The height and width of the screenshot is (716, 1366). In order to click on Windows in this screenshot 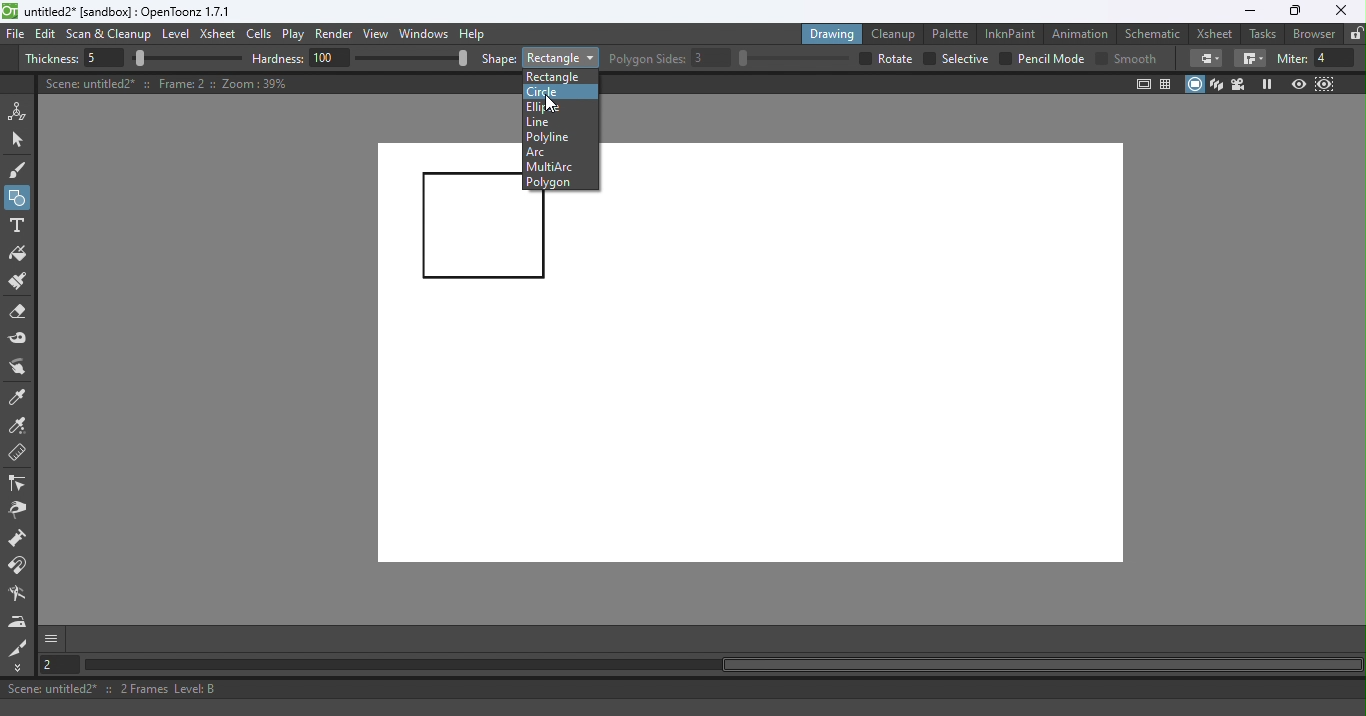, I will do `click(425, 35)`.